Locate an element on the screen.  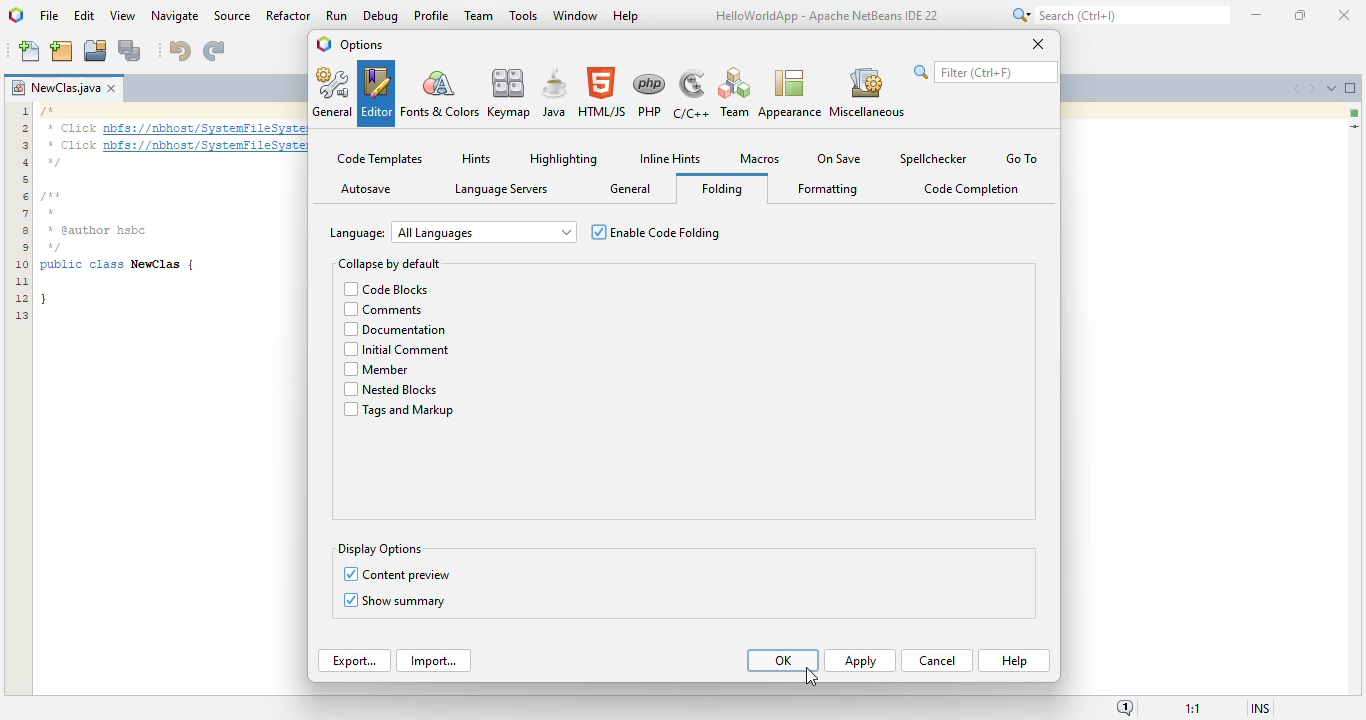
general is located at coordinates (631, 189).